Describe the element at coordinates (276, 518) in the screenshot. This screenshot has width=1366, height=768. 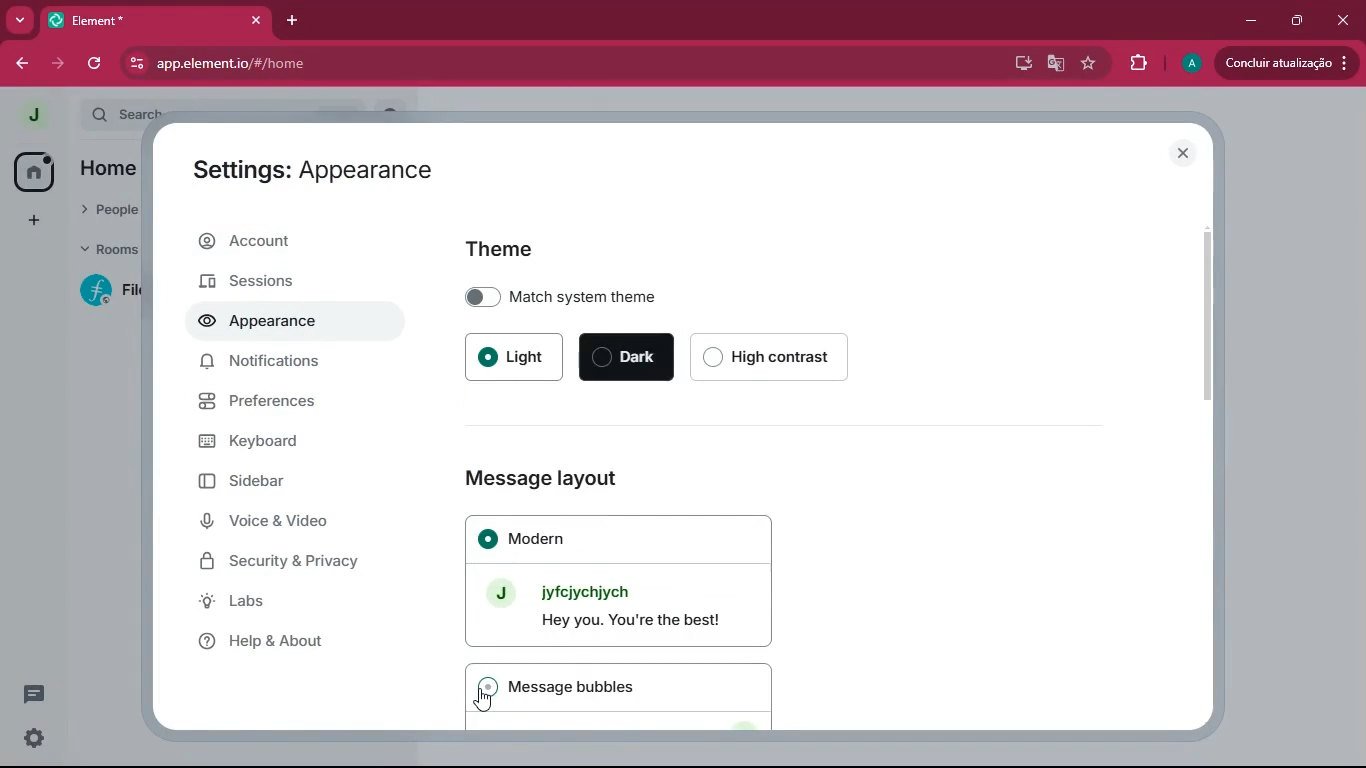
I see `Voice & Video` at that location.